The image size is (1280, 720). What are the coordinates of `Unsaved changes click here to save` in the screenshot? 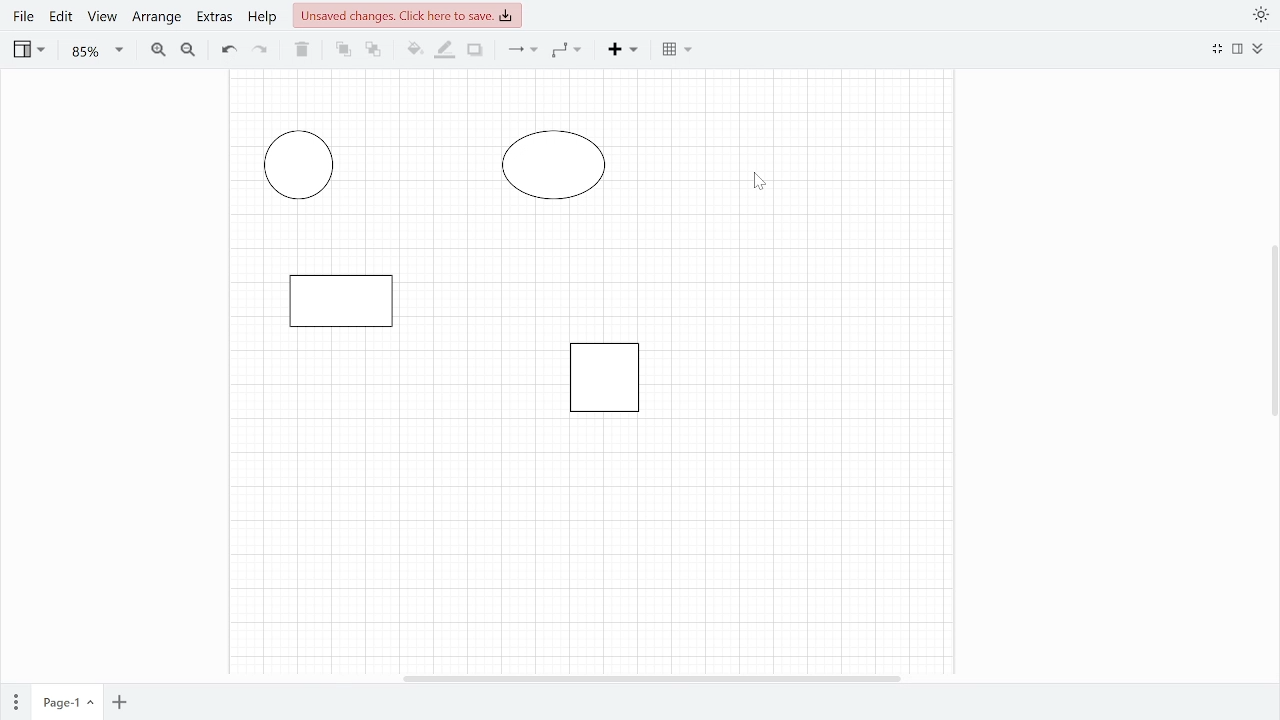 It's located at (409, 18).